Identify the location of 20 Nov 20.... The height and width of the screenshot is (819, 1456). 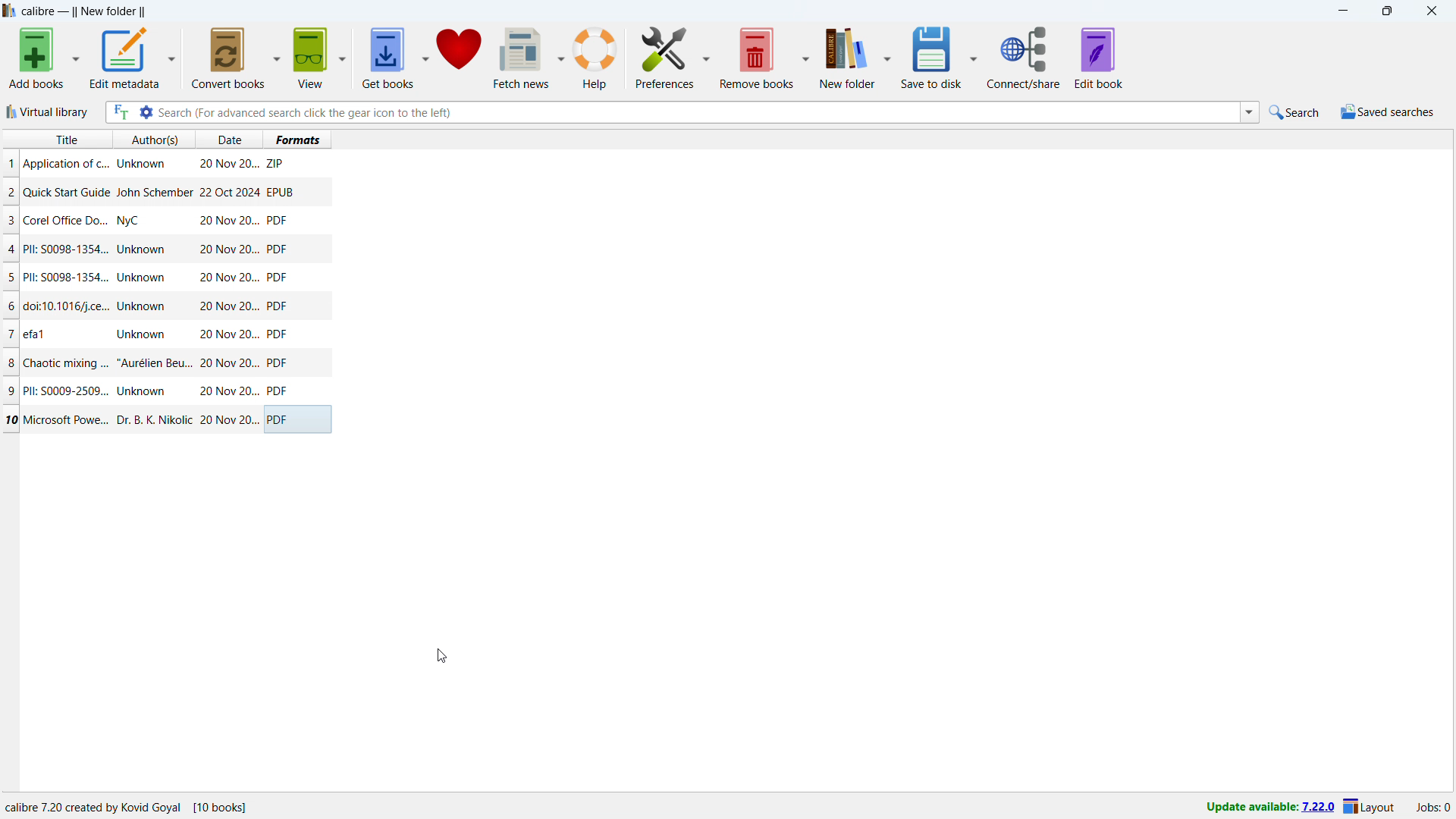
(228, 221).